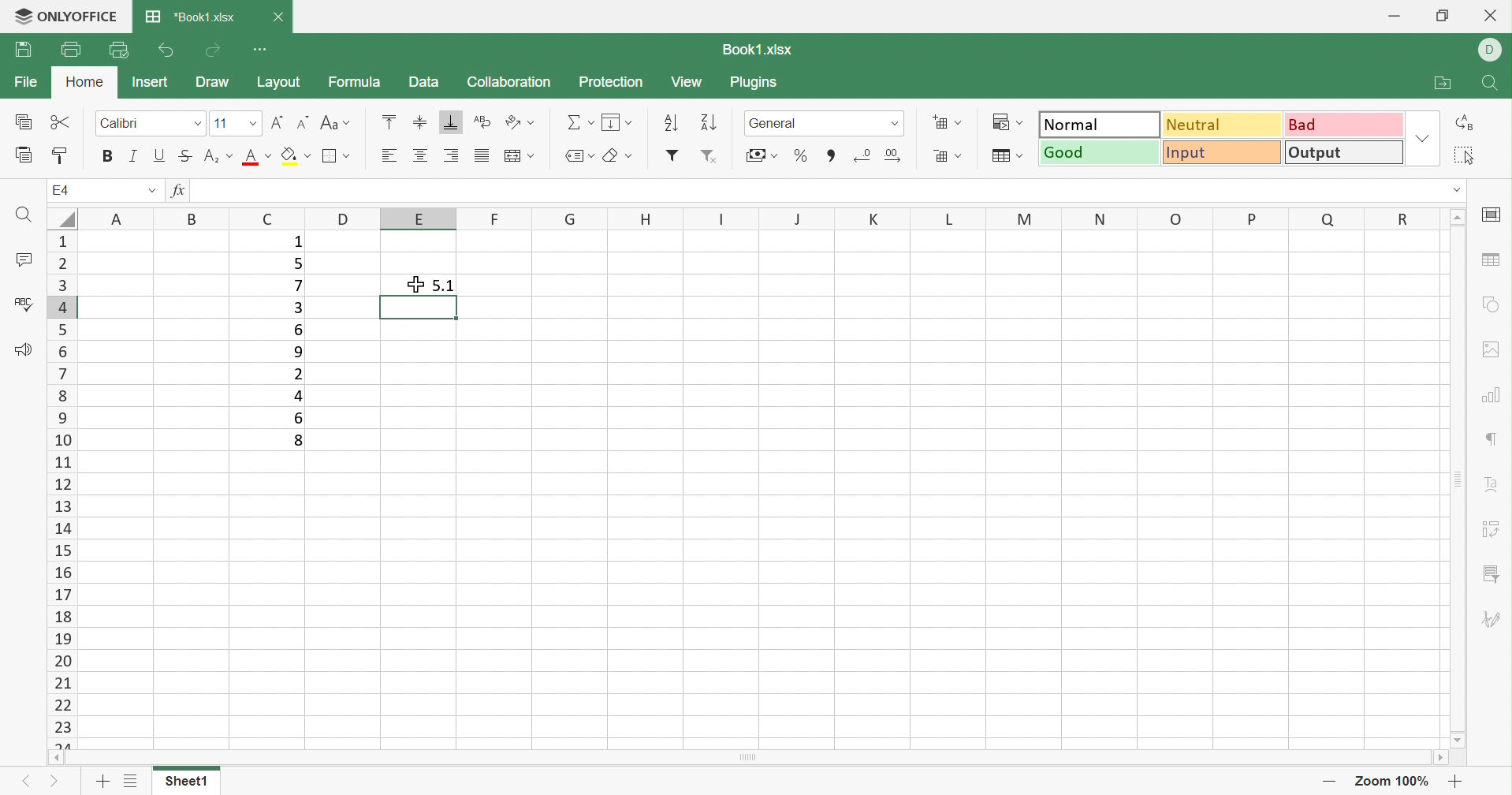 The height and width of the screenshot is (795, 1512). What do you see at coordinates (389, 123) in the screenshot?
I see `Align Top` at bounding box center [389, 123].